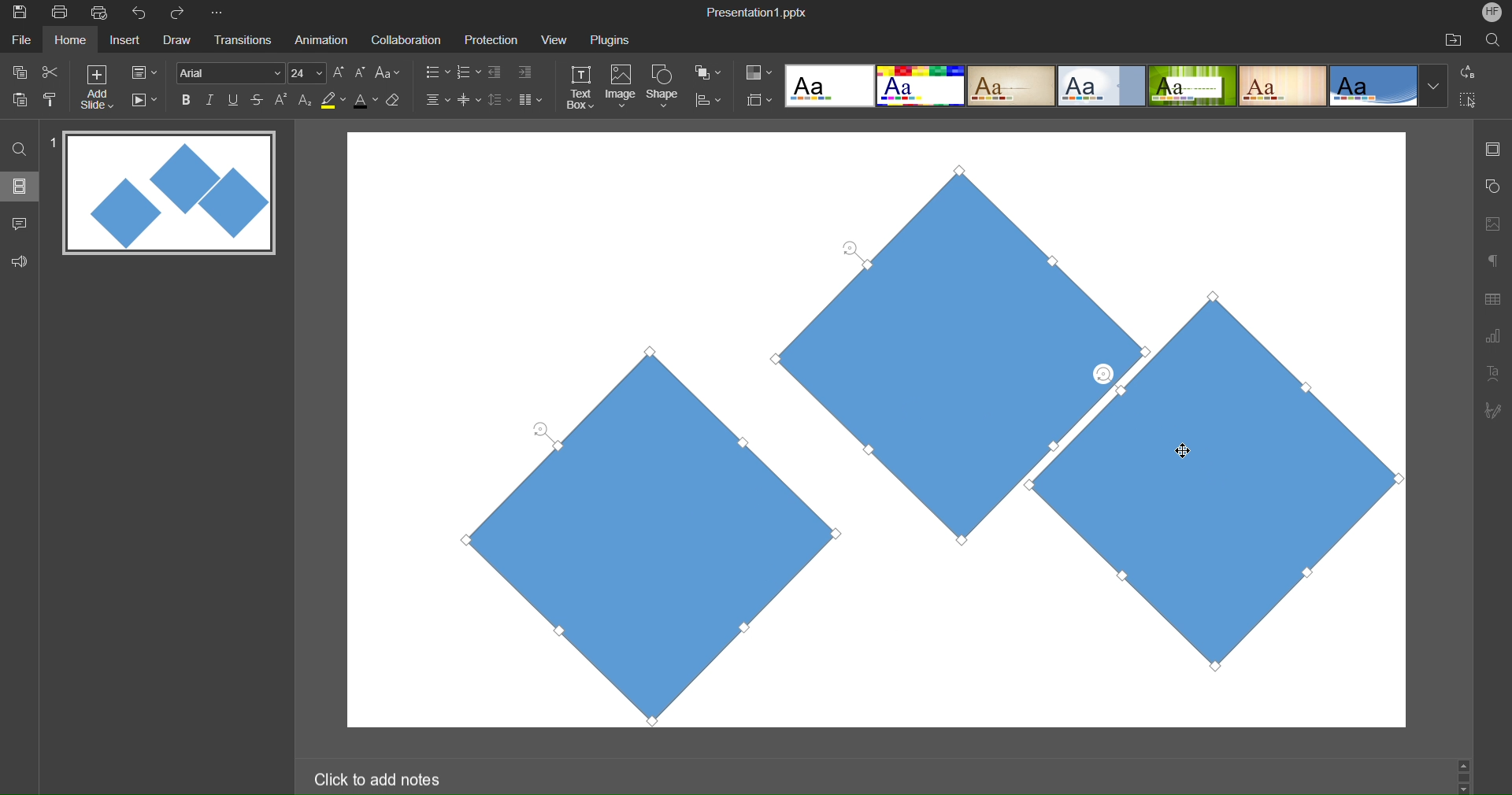 This screenshot has width=1512, height=795. I want to click on Table, so click(1493, 298).